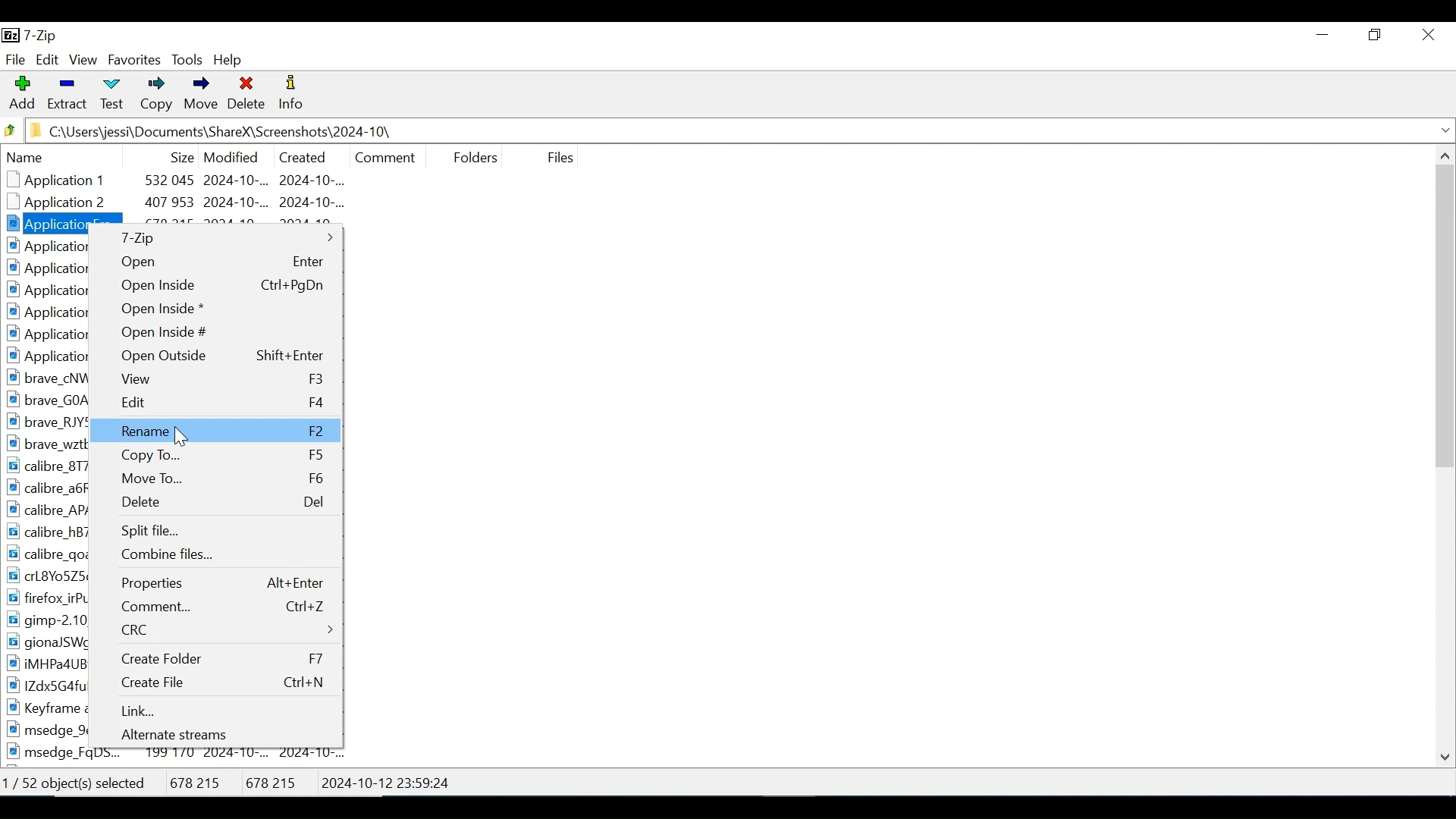  Describe the element at coordinates (10, 130) in the screenshot. I see `Click to Browse back` at that location.